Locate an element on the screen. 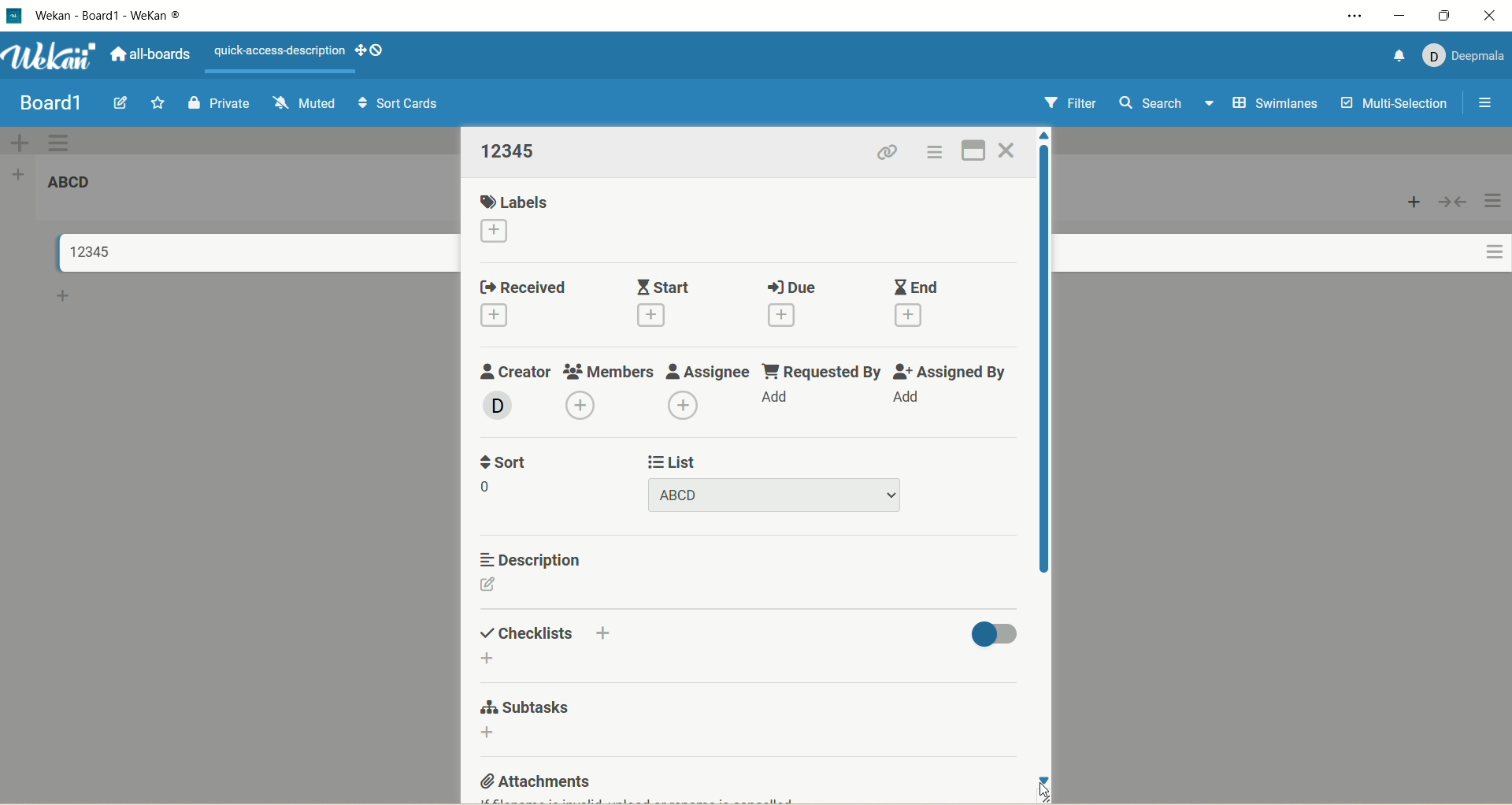 This screenshot has height=805, width=1512. add is located at coordinates (606, 632).